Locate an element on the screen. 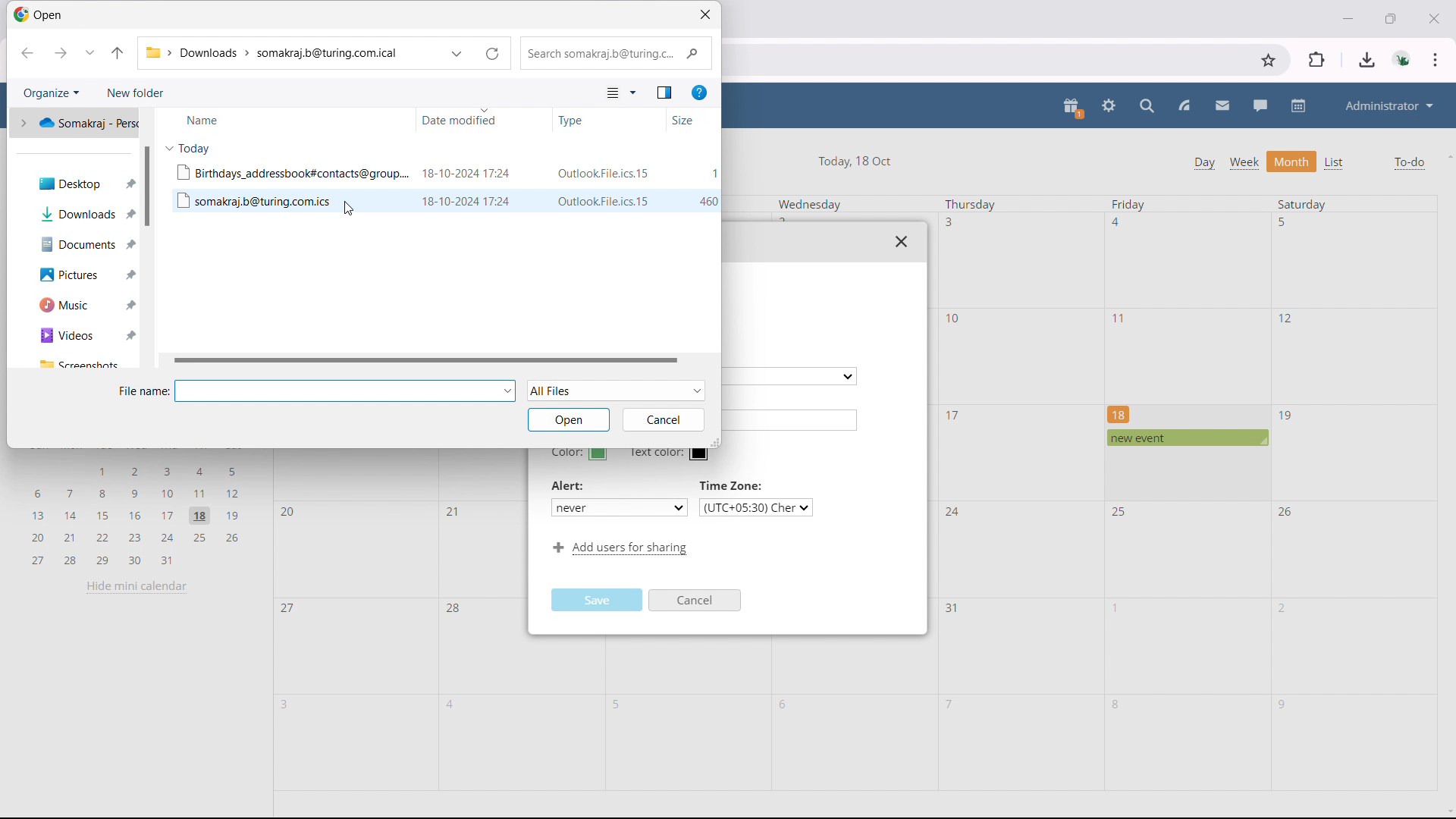  New folder is located at coordinates (135, 93).